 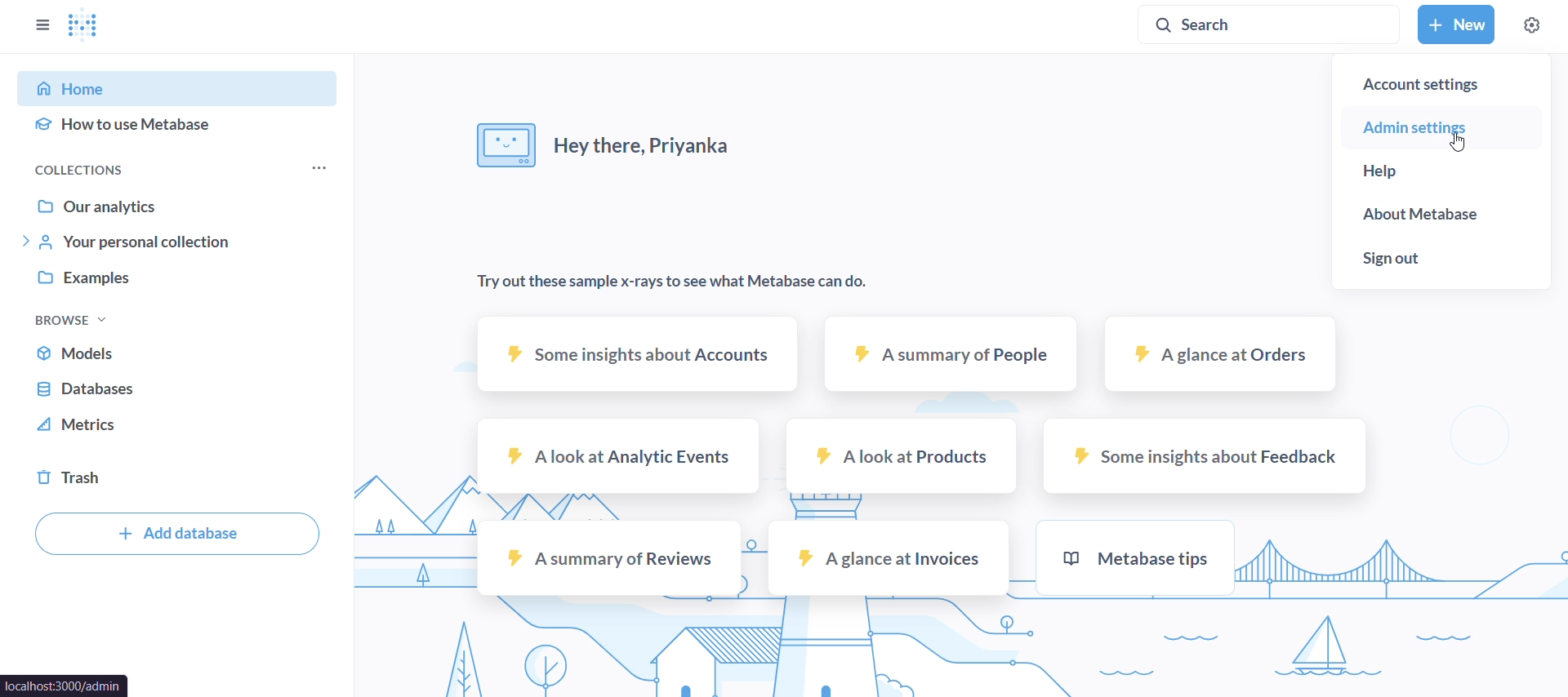 What do you see at coordinates (85, 26) in the screenshot?
I see `logo` at bounding box center [85, 26].